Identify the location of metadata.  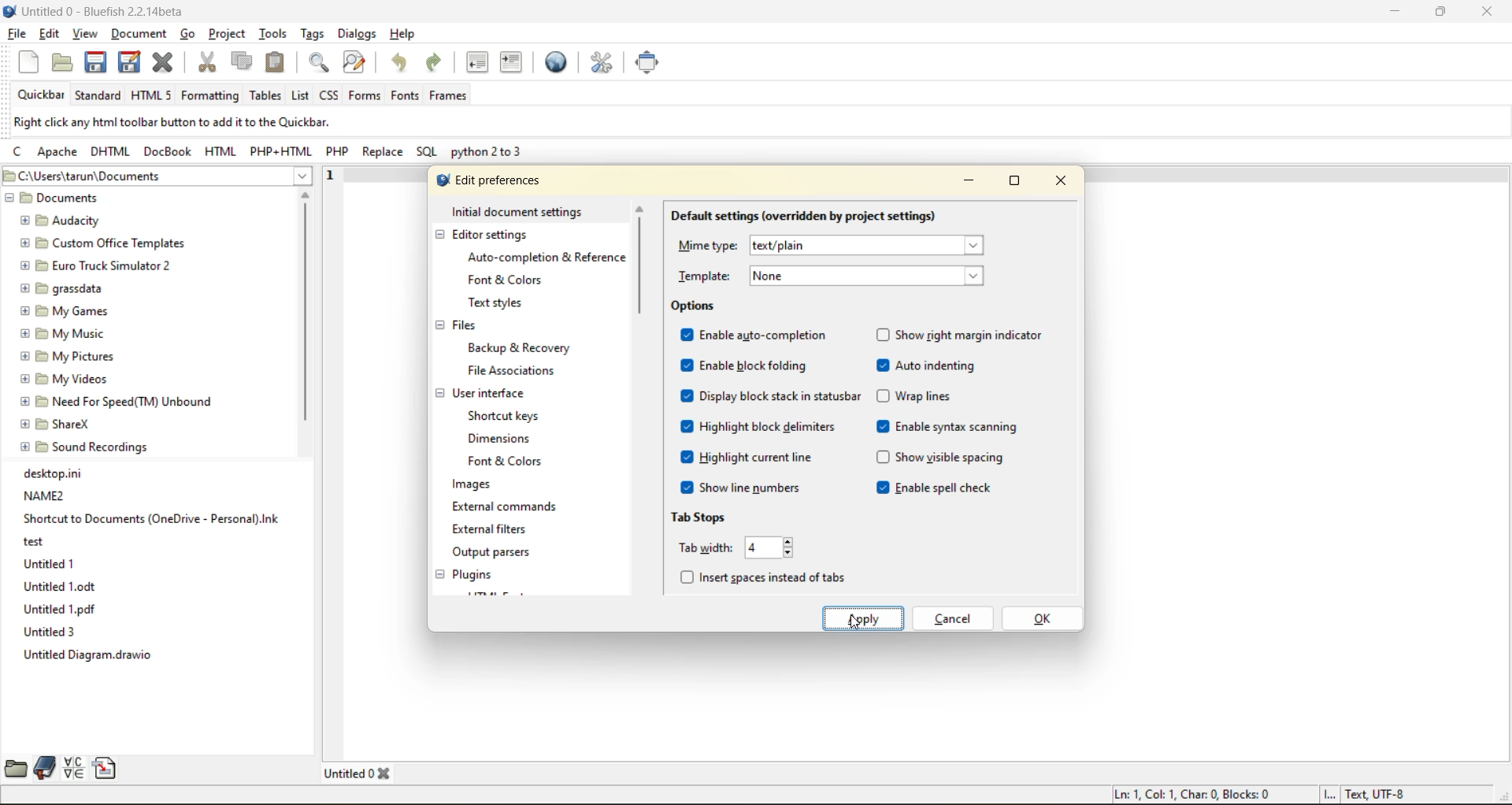
(1258, 795).